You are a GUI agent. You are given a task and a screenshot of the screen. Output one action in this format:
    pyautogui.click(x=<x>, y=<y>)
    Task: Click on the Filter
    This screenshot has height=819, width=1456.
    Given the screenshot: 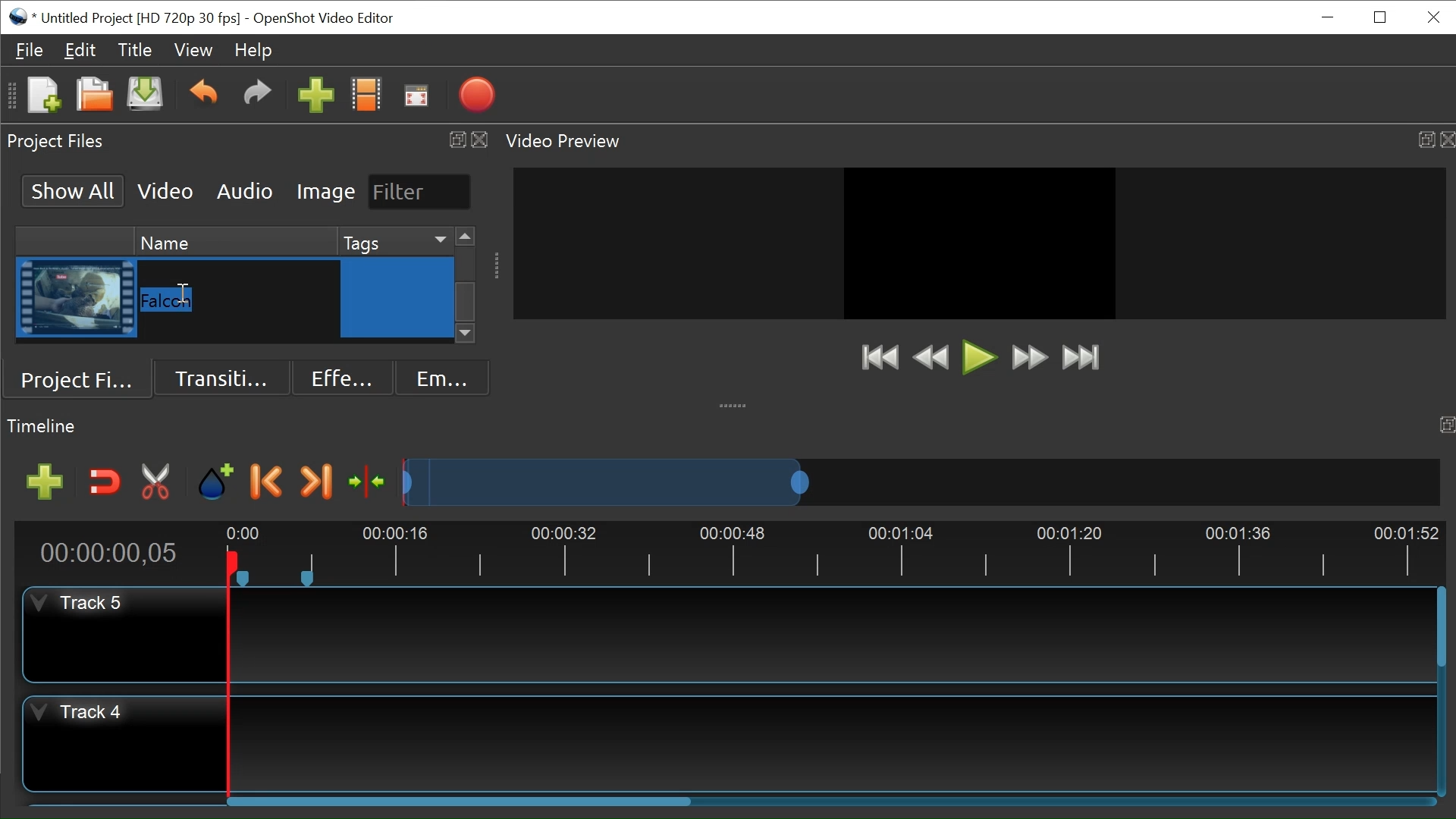 What is the action you would take?
    pyautogui.click(x=418, y=191)
    